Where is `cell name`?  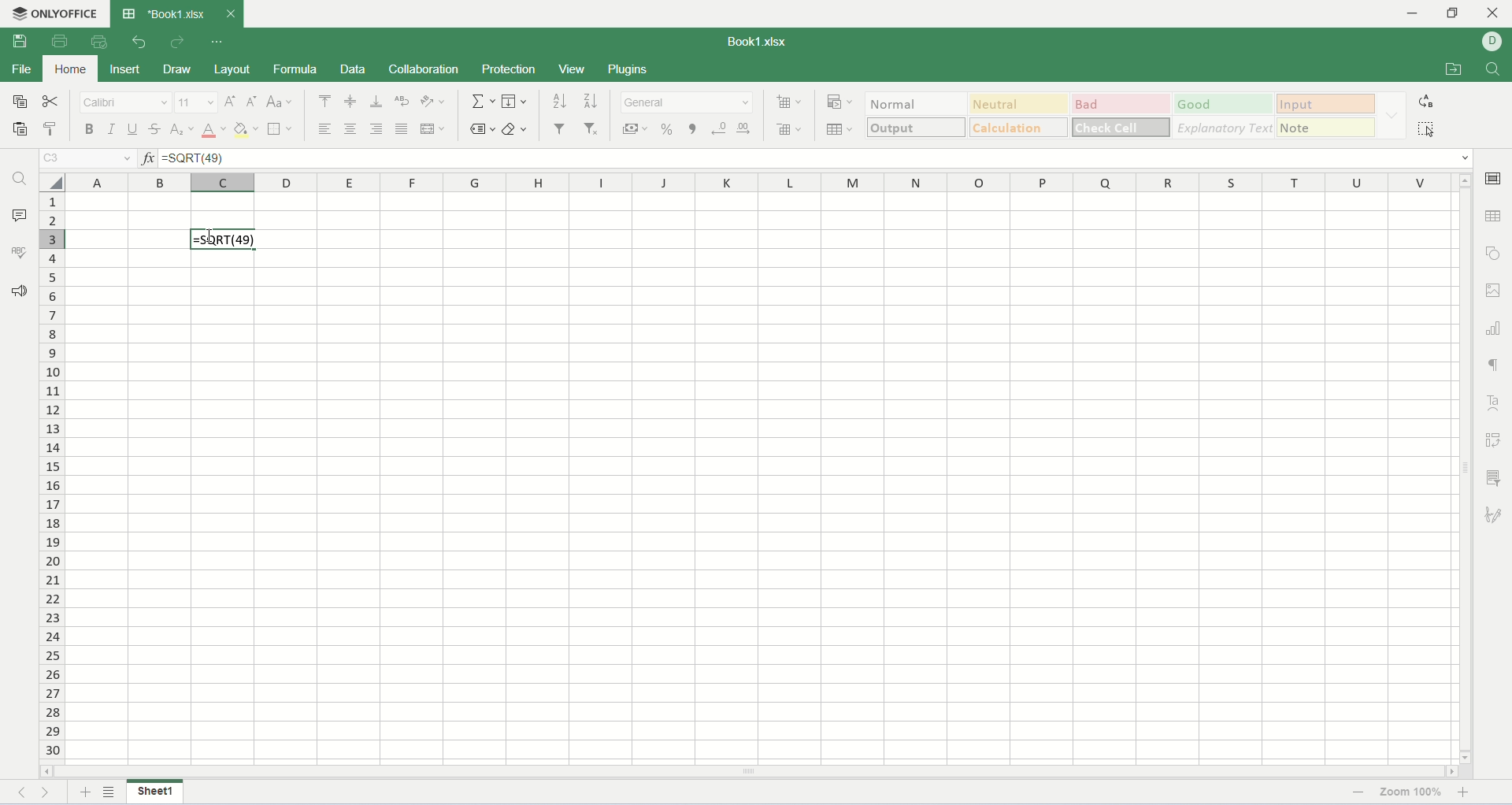 cell name is located at coordinates (88, 158).